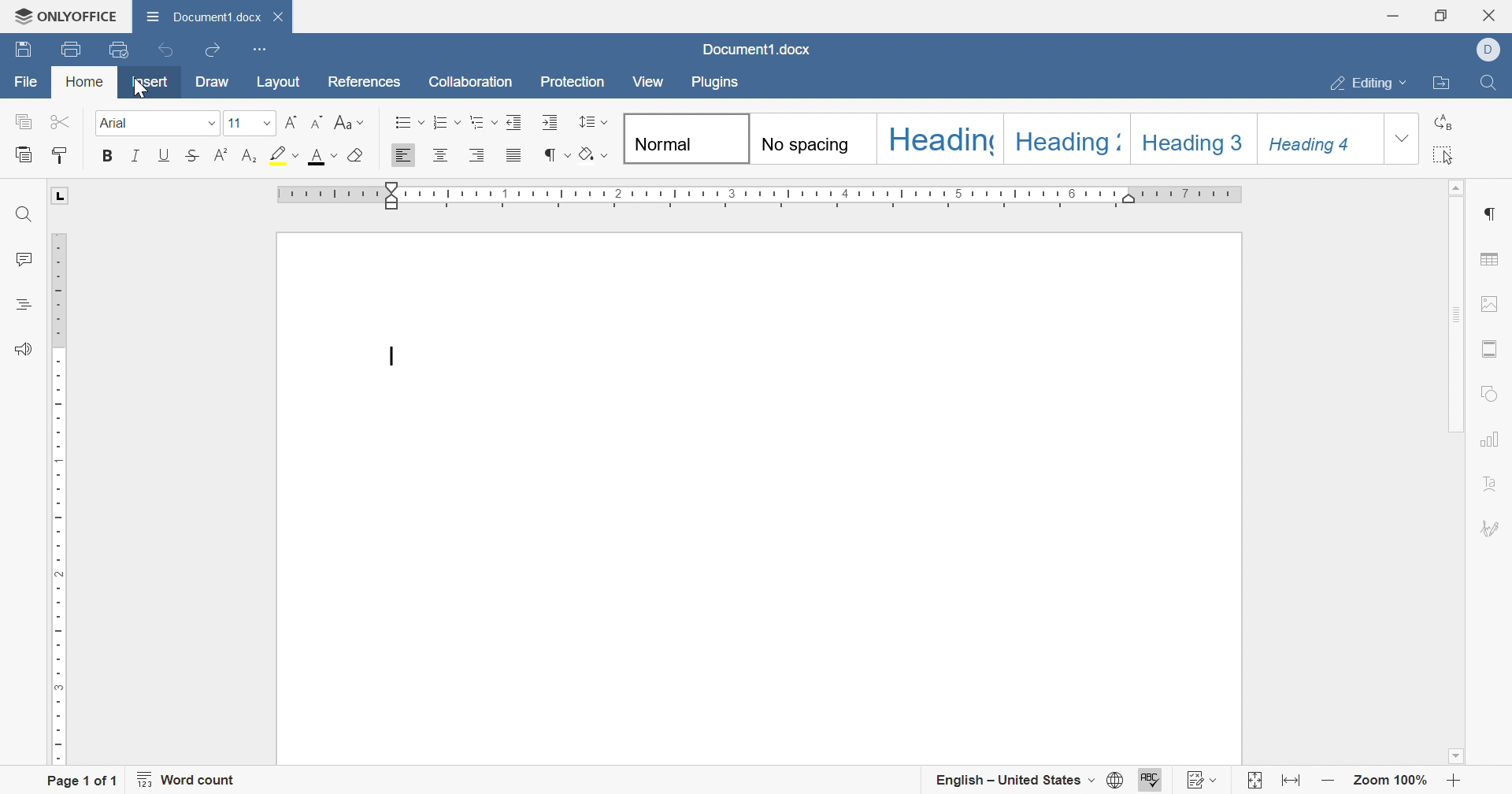  What do you see at coordinates (317, 121) in the screenshot?
I see `Decrement font size` at bounding box center [317, 121].